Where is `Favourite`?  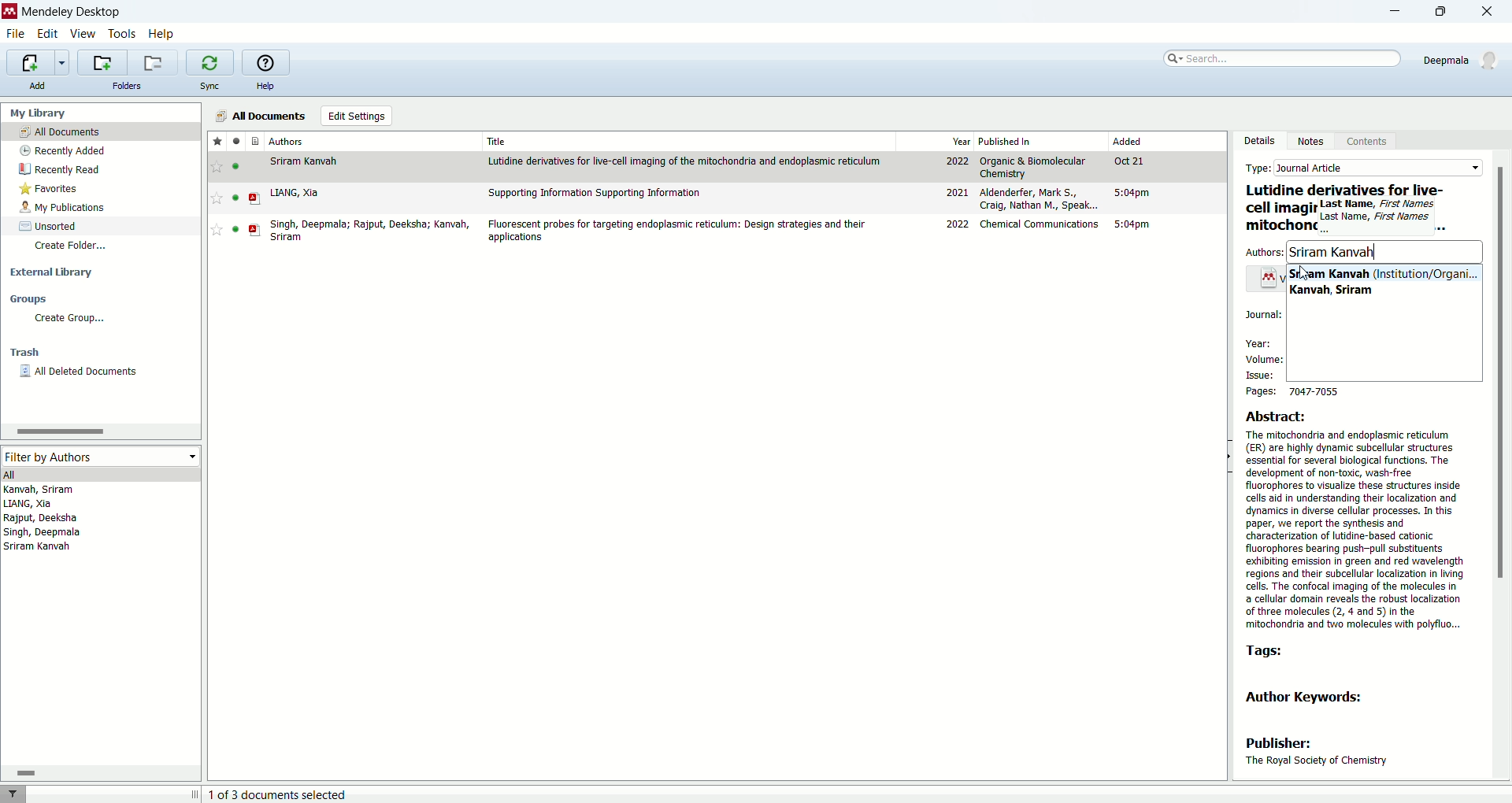
Favourite is located at coordinates (217, 198).